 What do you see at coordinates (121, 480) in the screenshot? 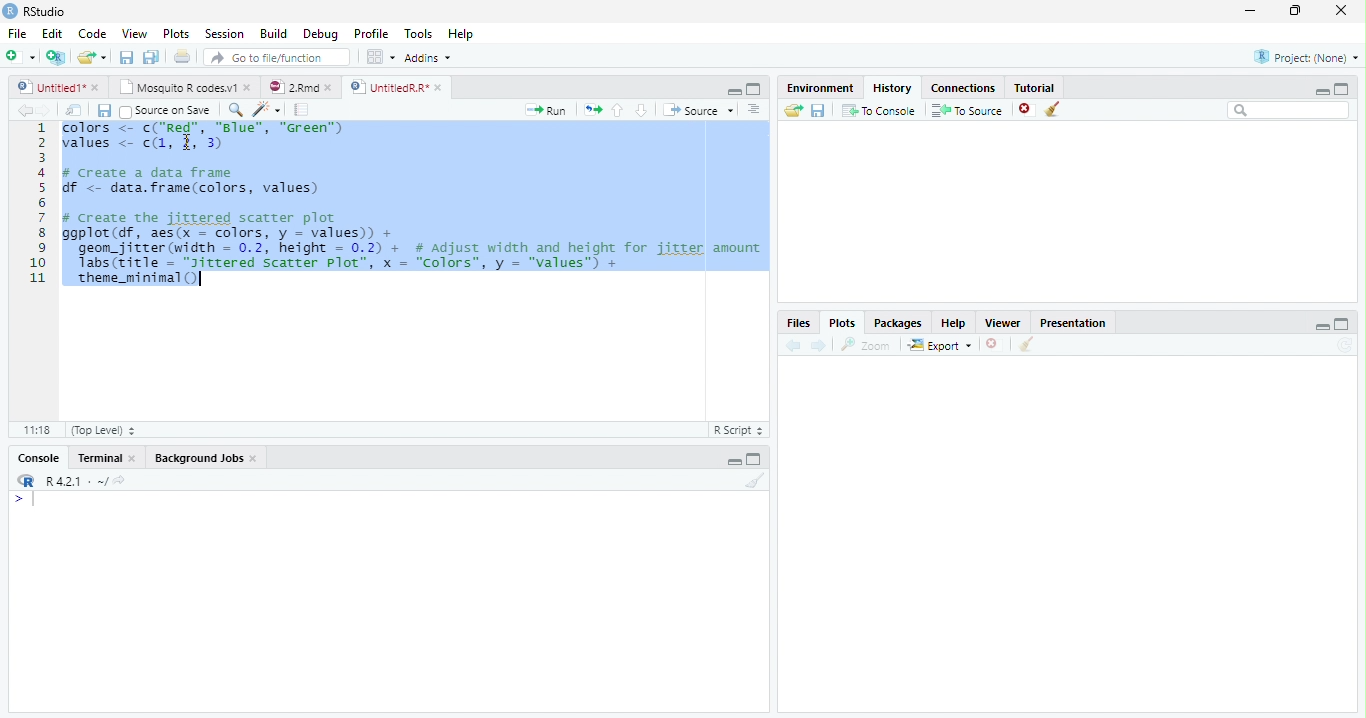
I see `View the current working directory` at bounding box center [121, 480].